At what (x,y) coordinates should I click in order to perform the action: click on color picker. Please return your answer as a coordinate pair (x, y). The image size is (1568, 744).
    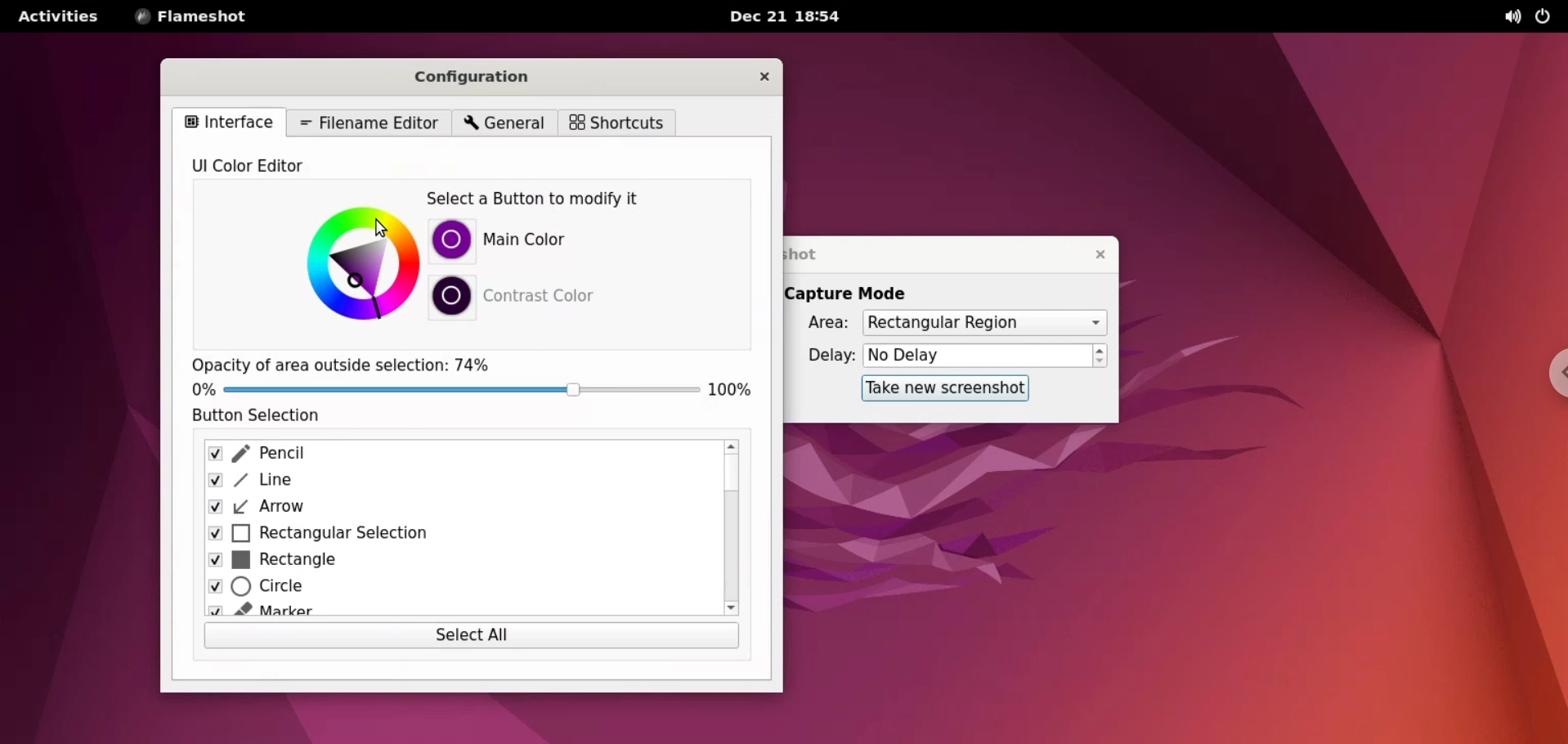
    Looking at the image, I should click on (357, 267).